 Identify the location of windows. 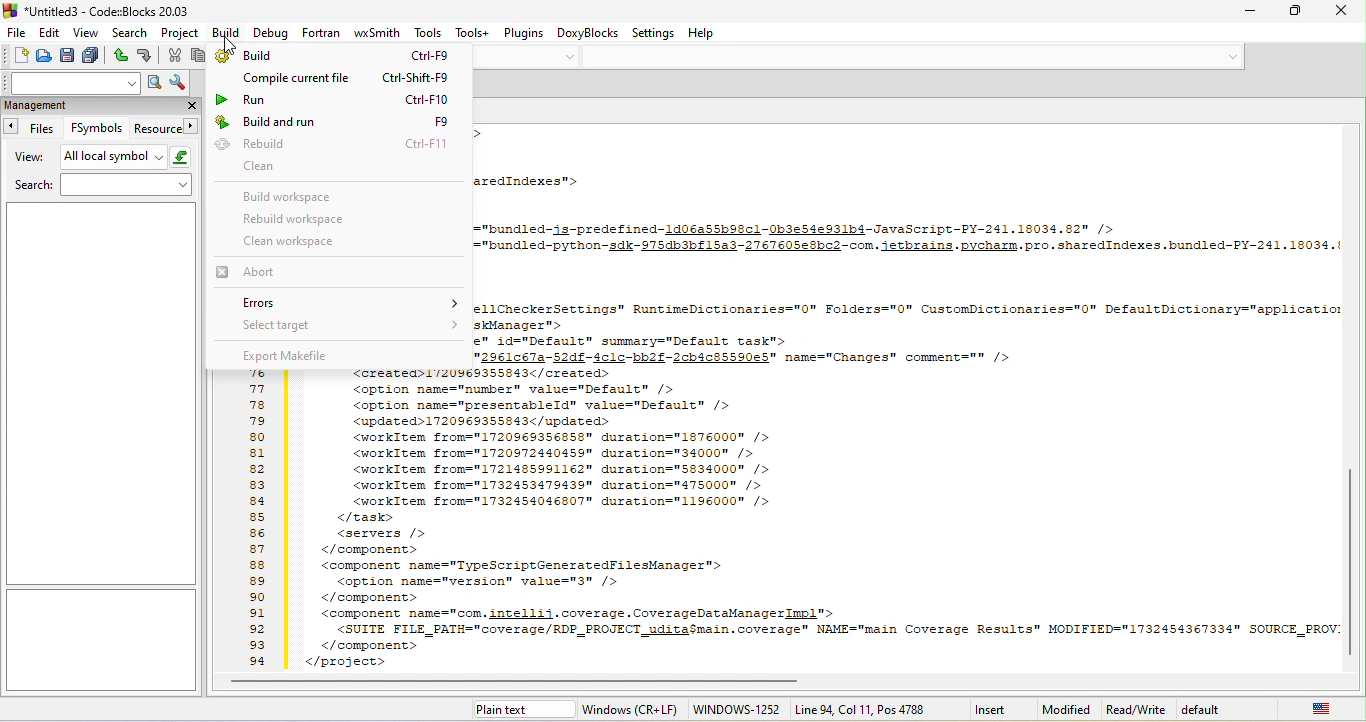
(638, 711).